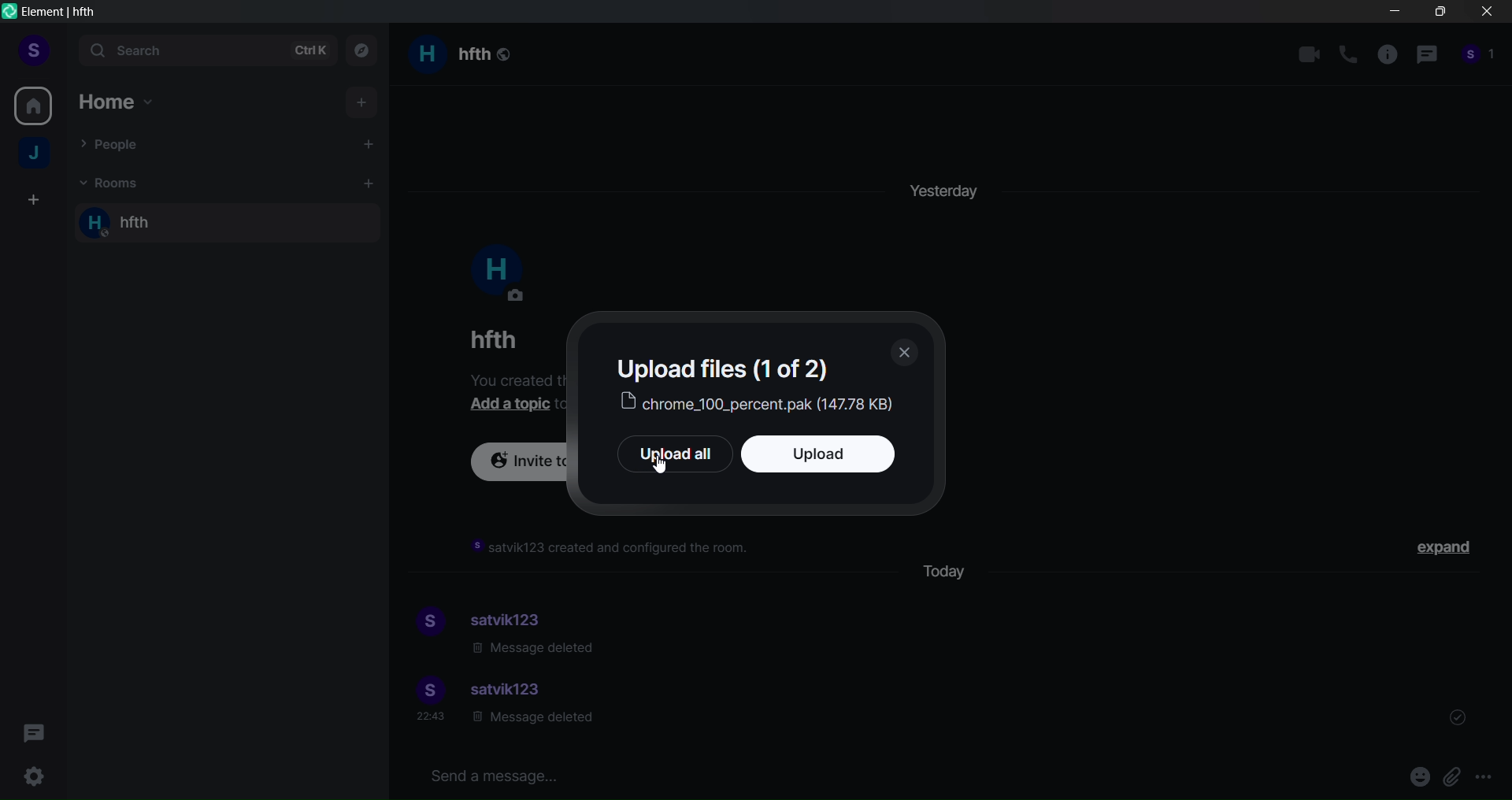 Image resolution: width=1512 pixels, height=800 pixels. What do you see at coordinates (426, 690) in the screenshot?
I see `display picture` at bounding box center [426, 690].